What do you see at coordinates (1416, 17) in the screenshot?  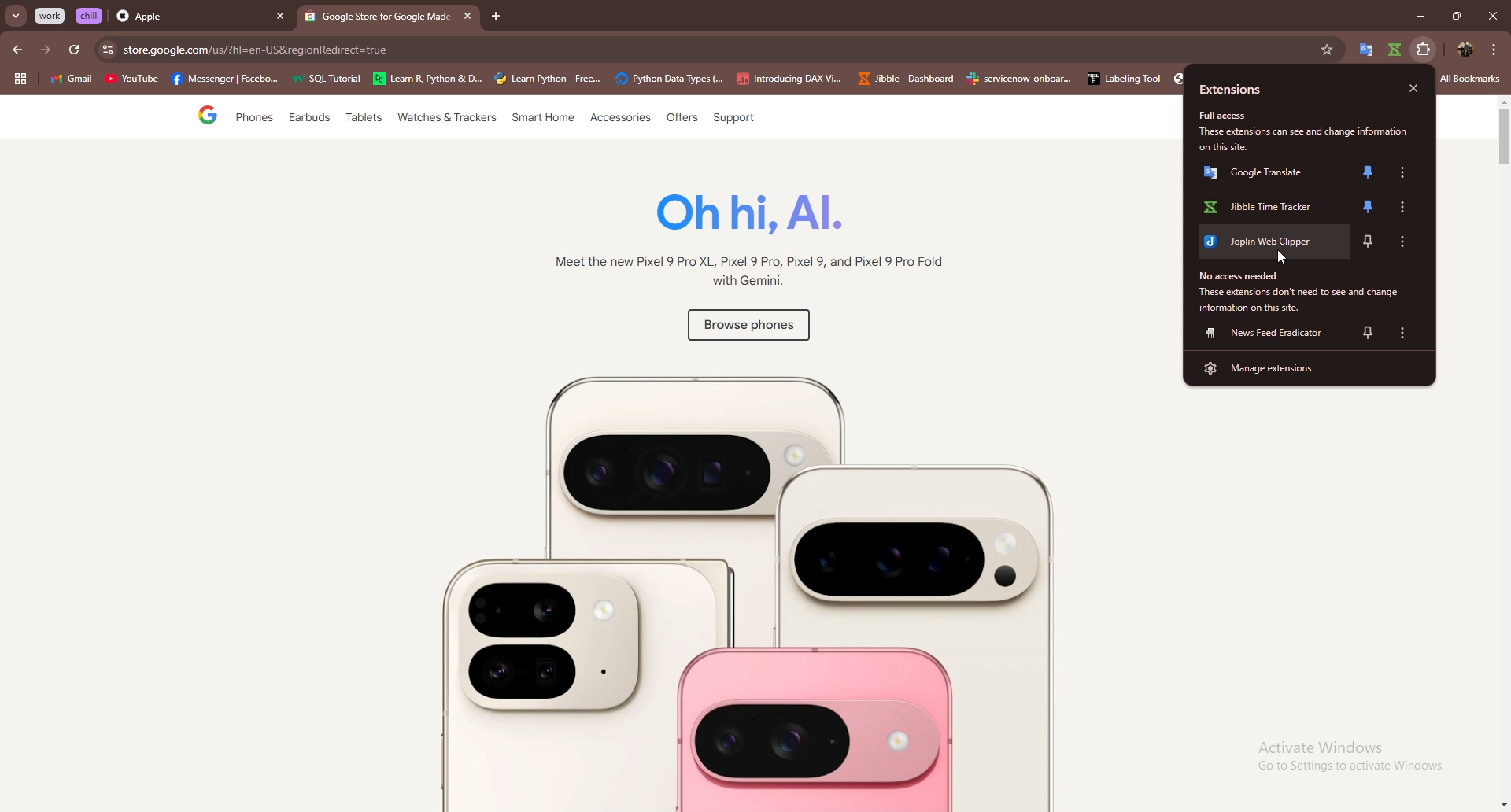 I see `minimize` at bounding box center [1416, 17].